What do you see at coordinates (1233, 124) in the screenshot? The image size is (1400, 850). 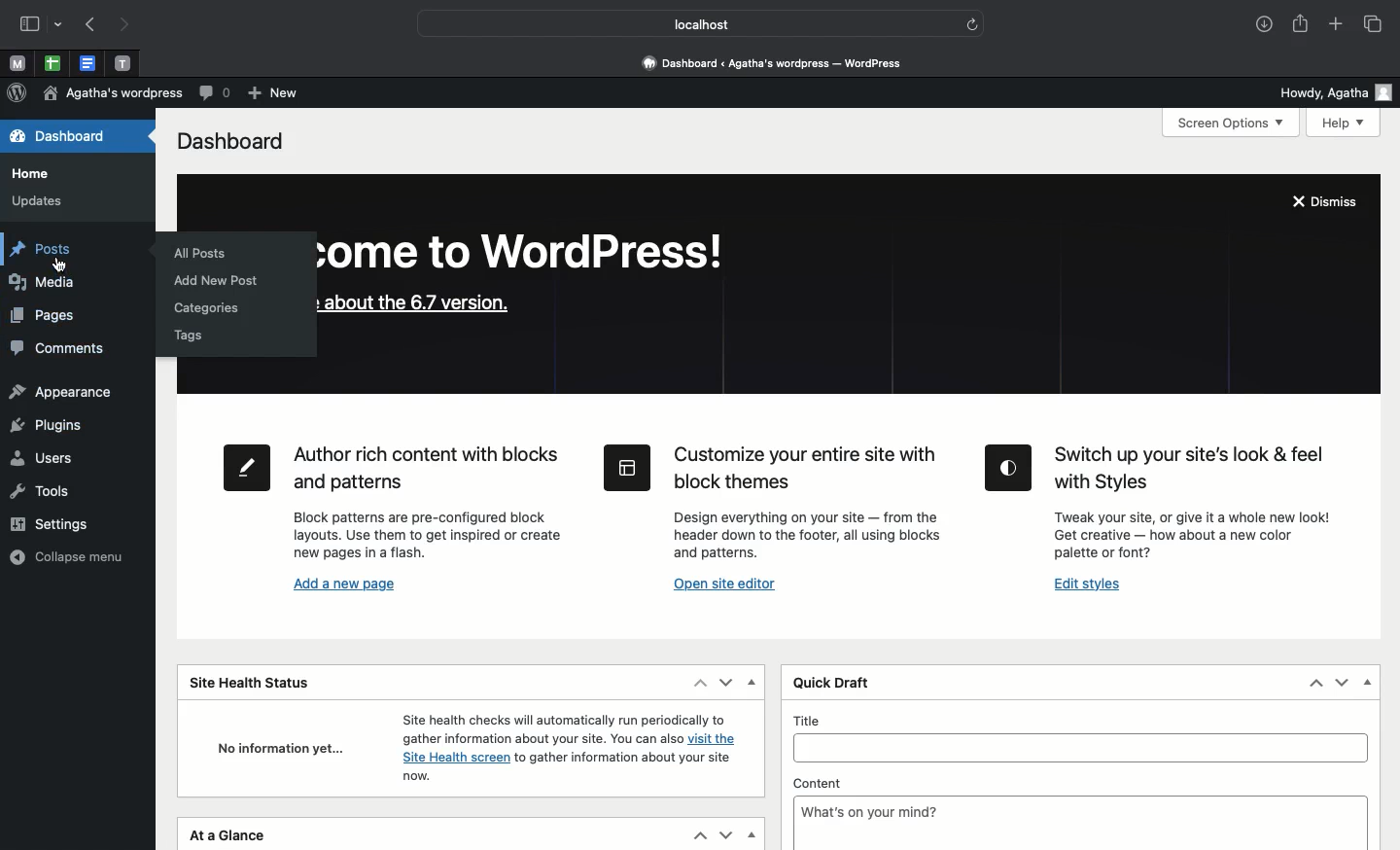 I see `Screen options` at bounding box center [1233, 124].